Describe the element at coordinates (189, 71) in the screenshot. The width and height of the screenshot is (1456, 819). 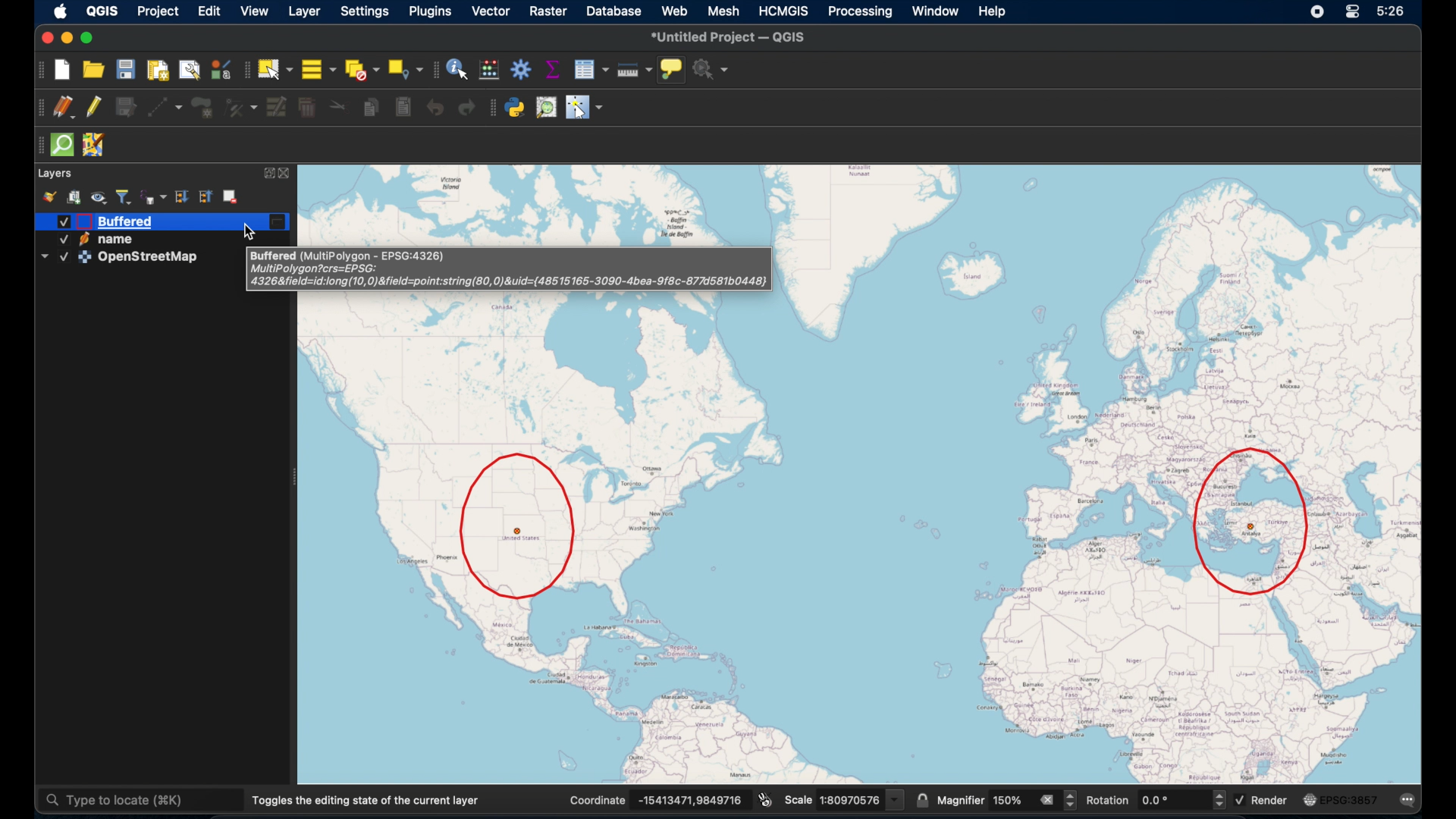
I see `show layout manager` at that location.